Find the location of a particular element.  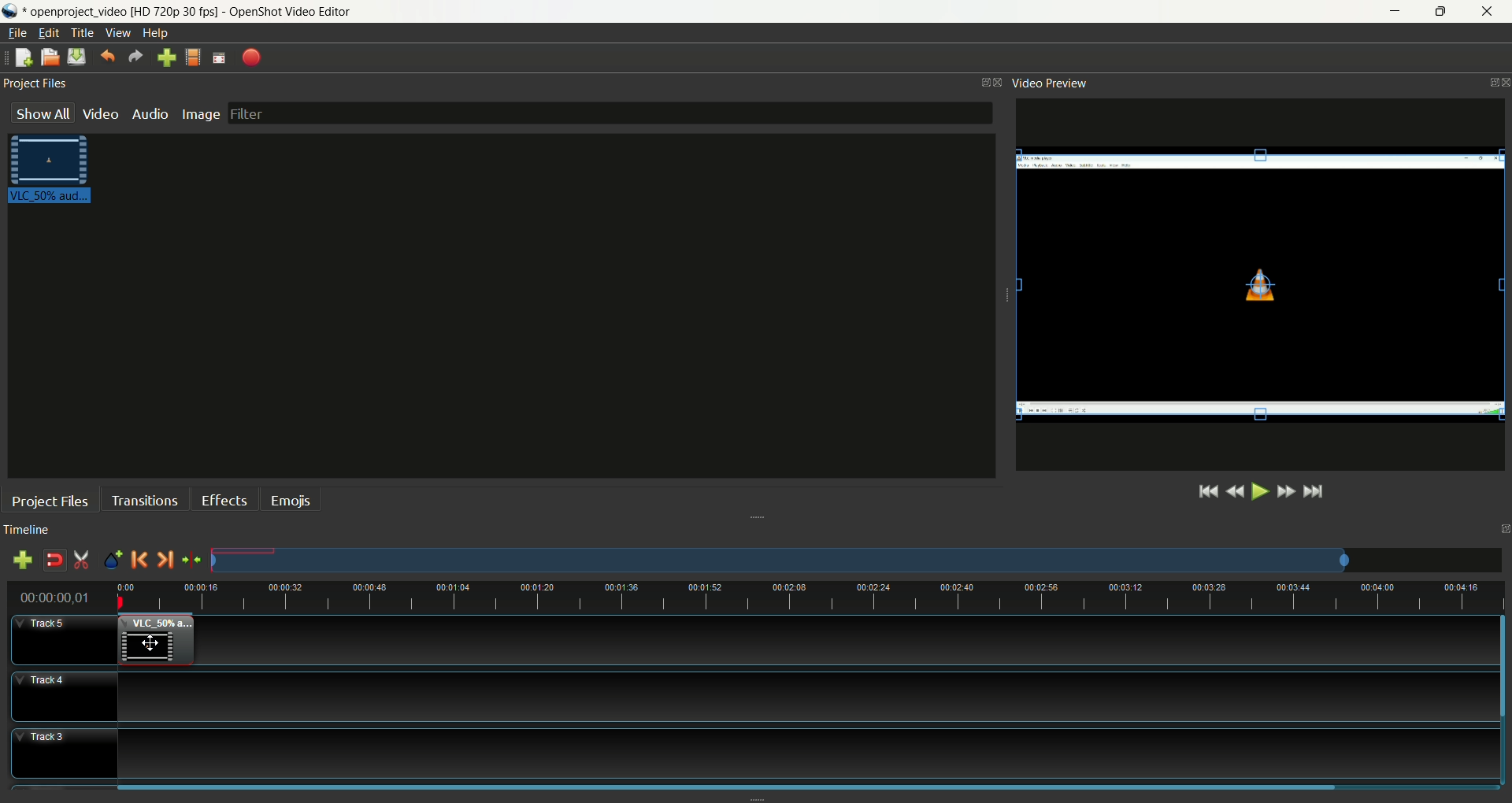

choose profile is located at coordinates (193, 58).